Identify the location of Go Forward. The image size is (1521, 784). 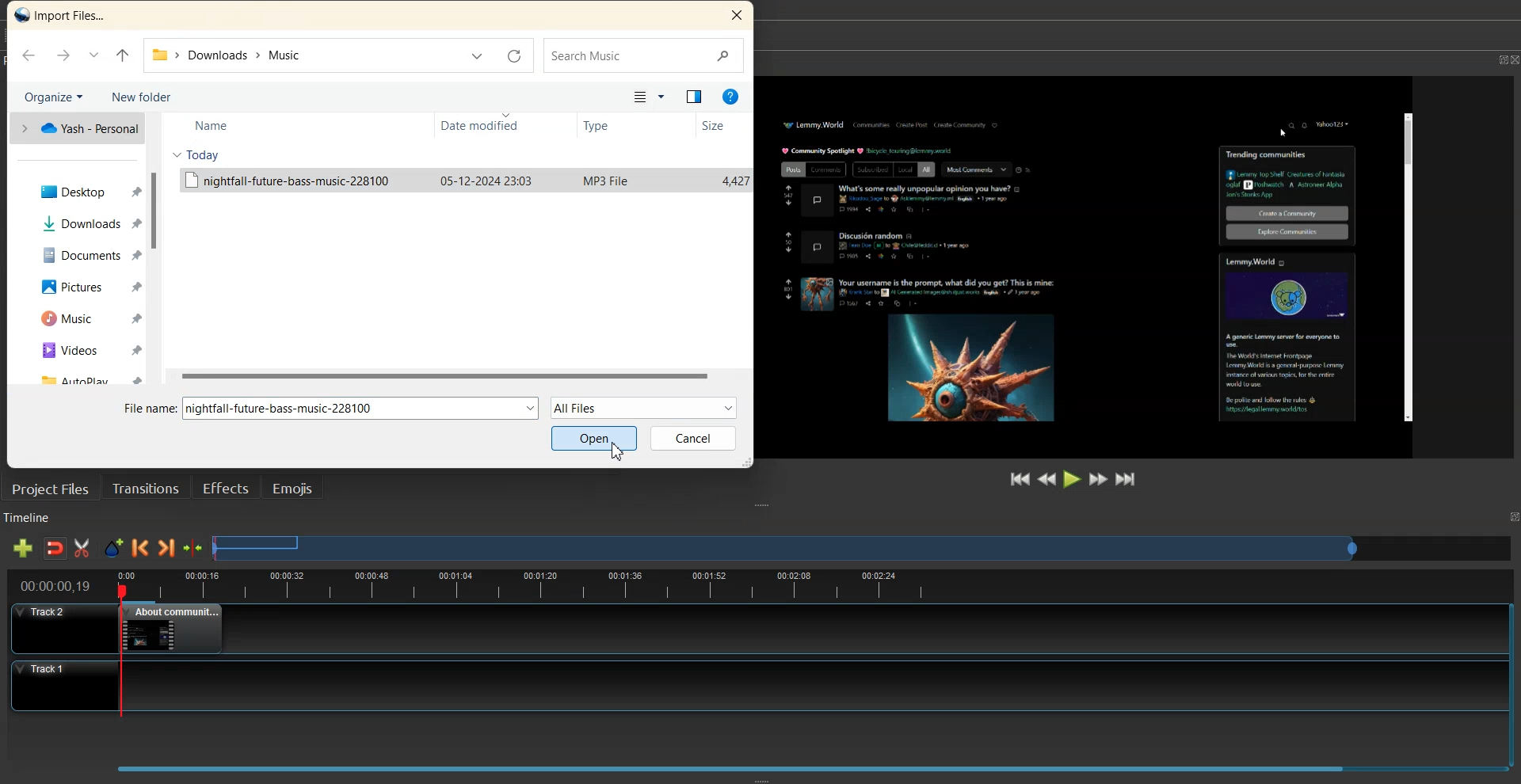
(64, 56).